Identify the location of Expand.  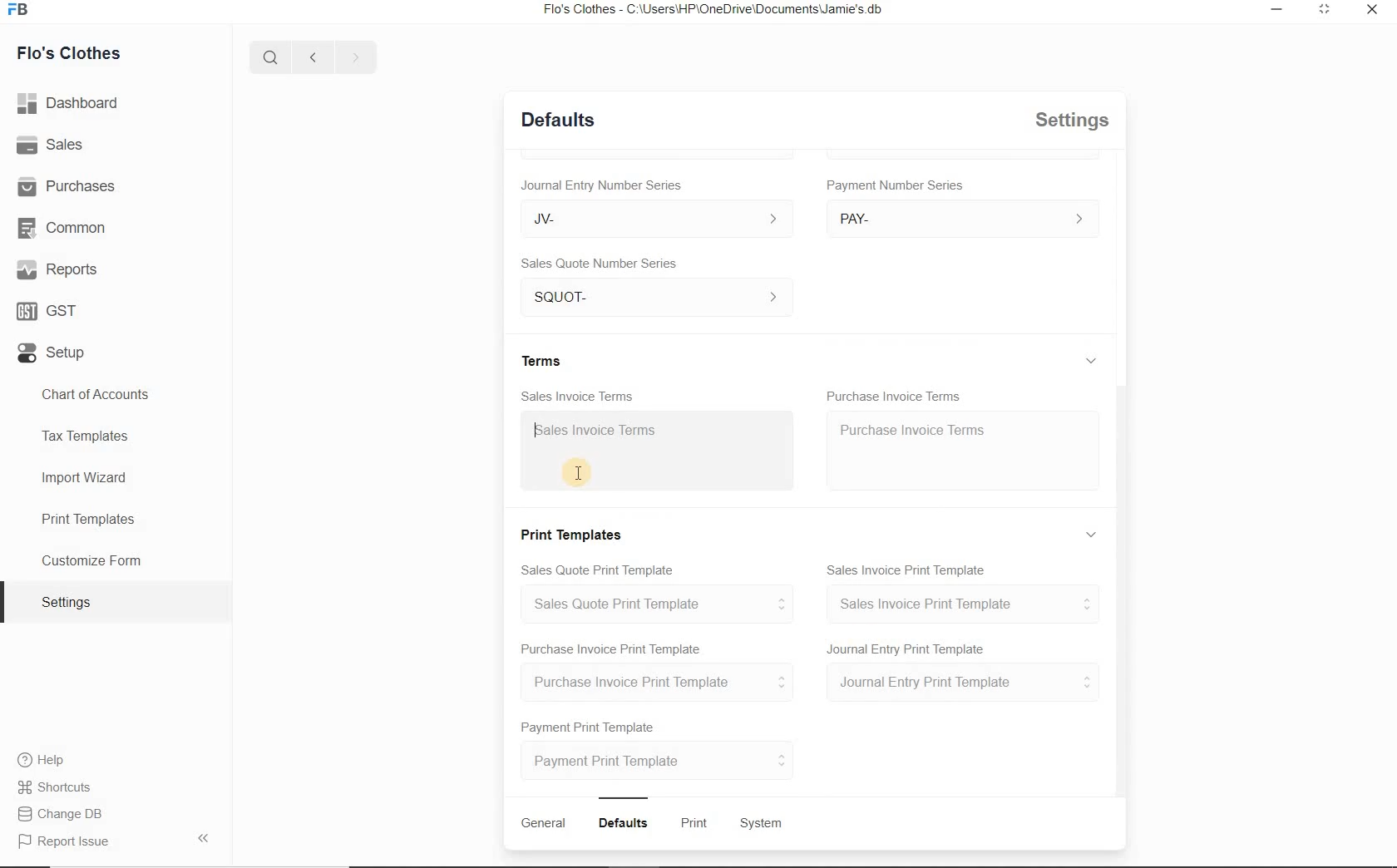
(1092, 361).